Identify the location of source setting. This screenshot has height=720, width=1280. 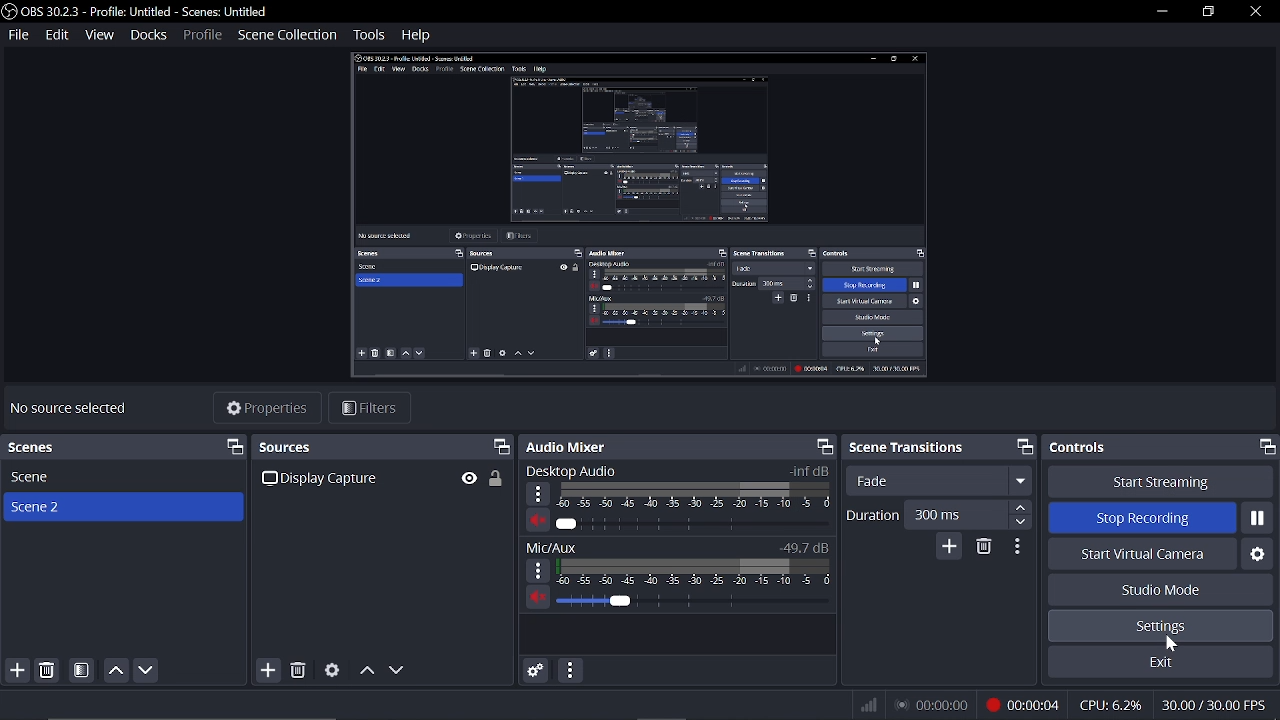
(332, 669).